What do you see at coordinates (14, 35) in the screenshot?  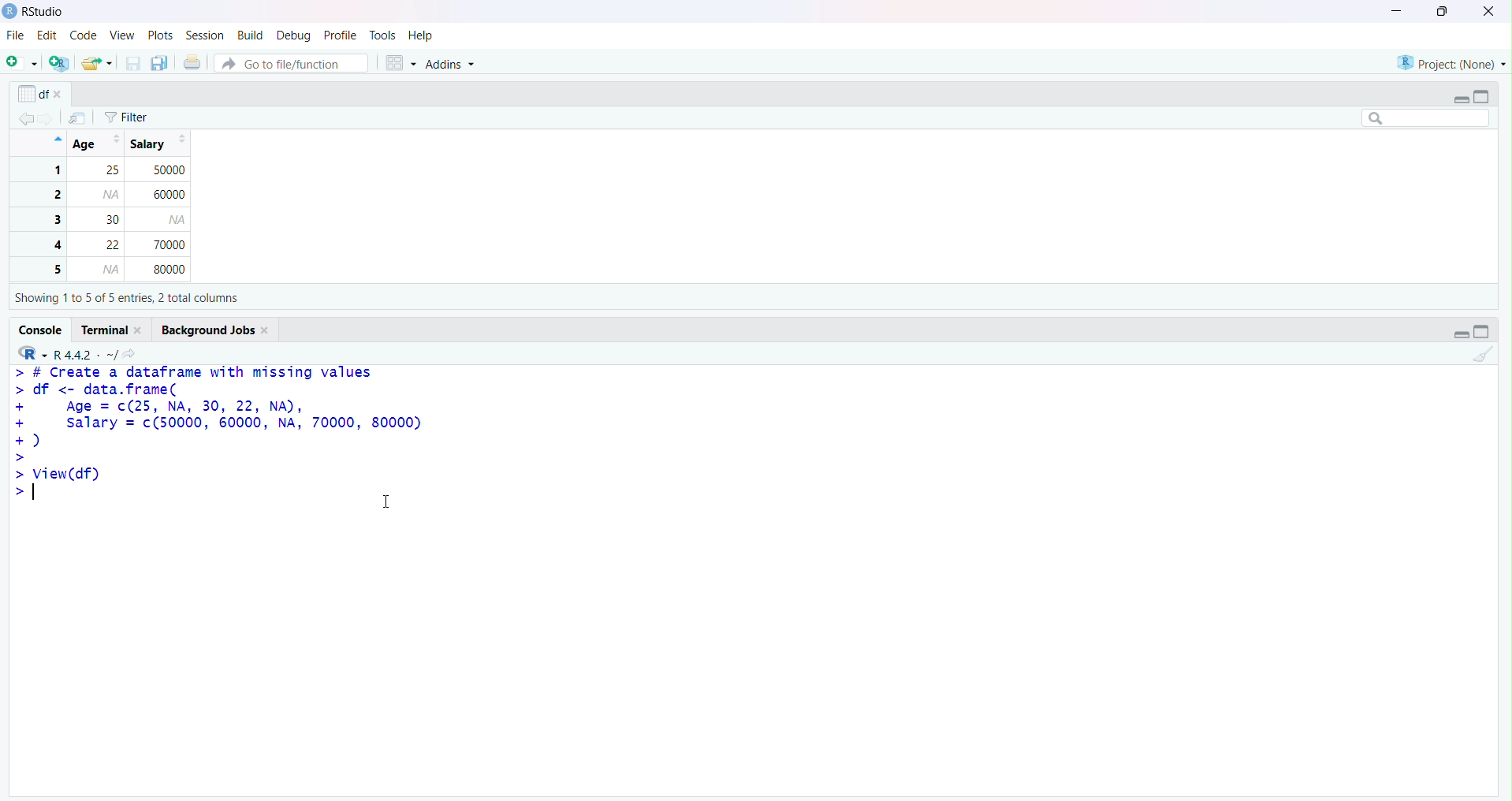 I see `File` at bounding box center [14, 35].